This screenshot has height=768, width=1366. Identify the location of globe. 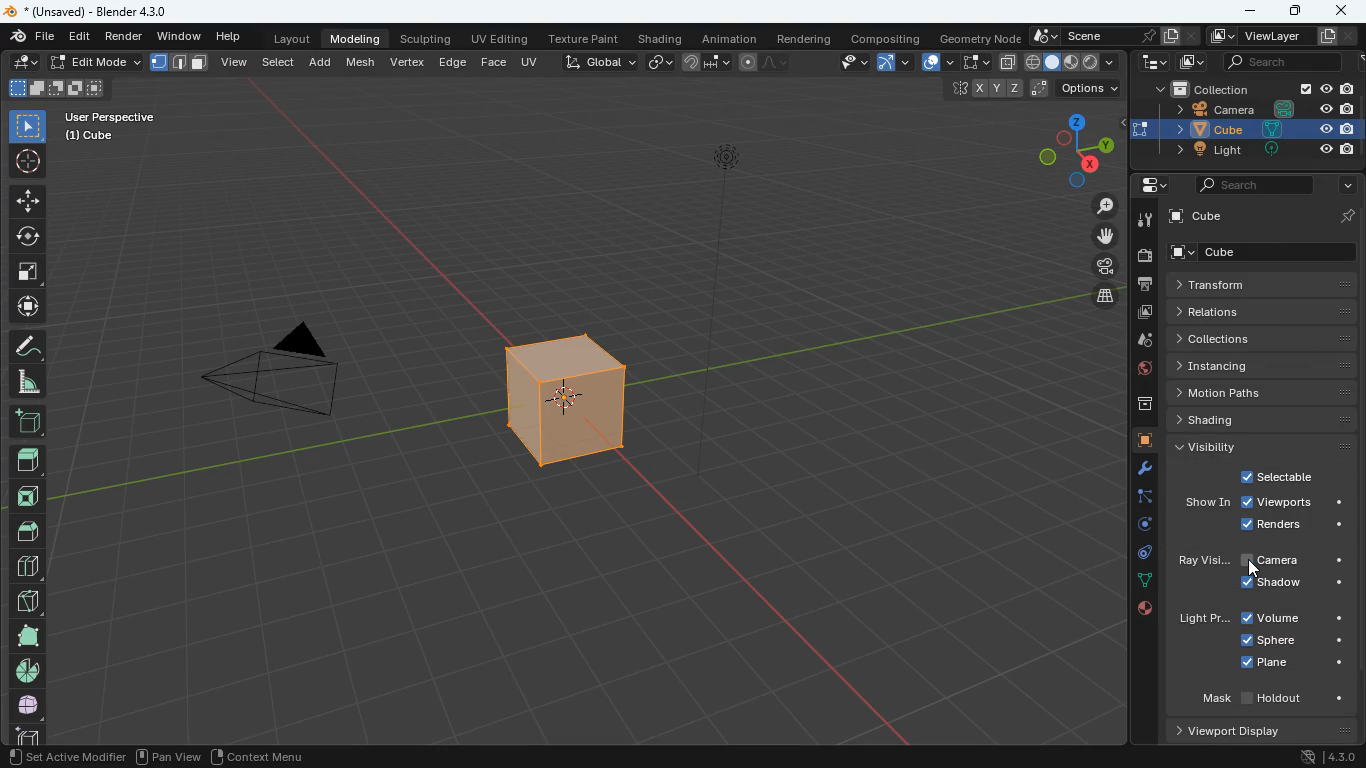
(1136, 369).